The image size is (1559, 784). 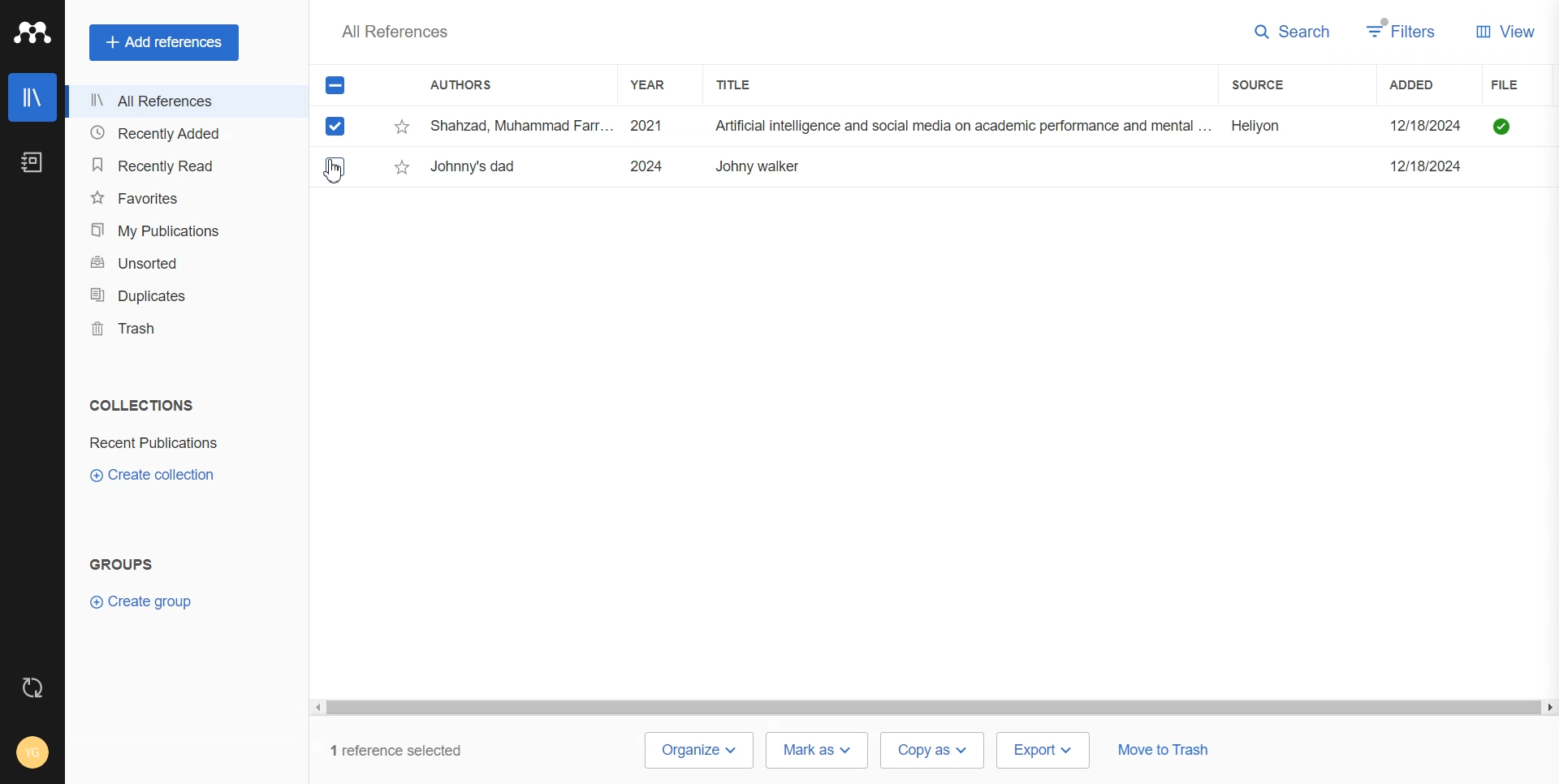 I want to click on Recently Read, so click(x=182, y=166).